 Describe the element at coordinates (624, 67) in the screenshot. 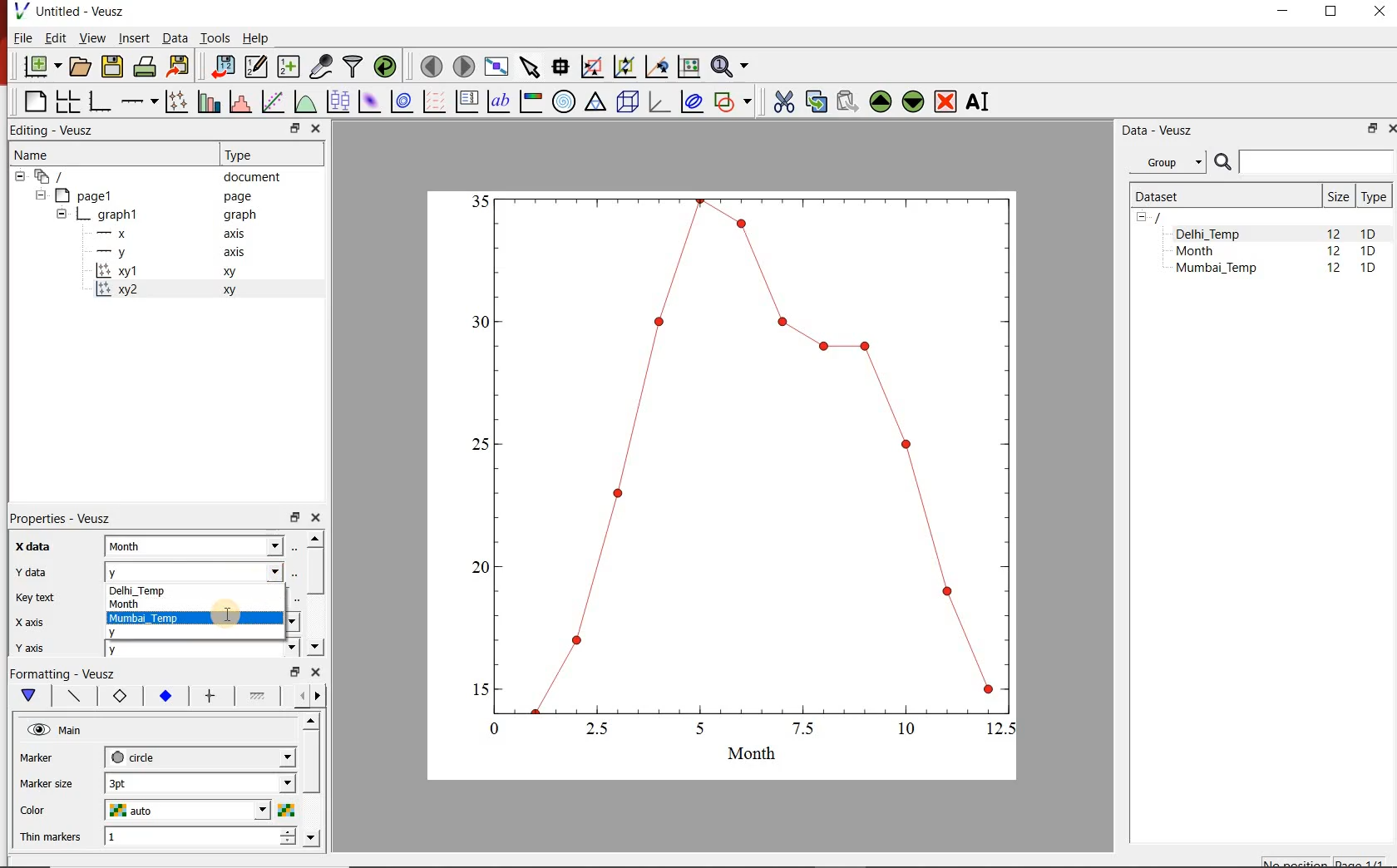

I see `click to zoom out of graph axes` at that location.